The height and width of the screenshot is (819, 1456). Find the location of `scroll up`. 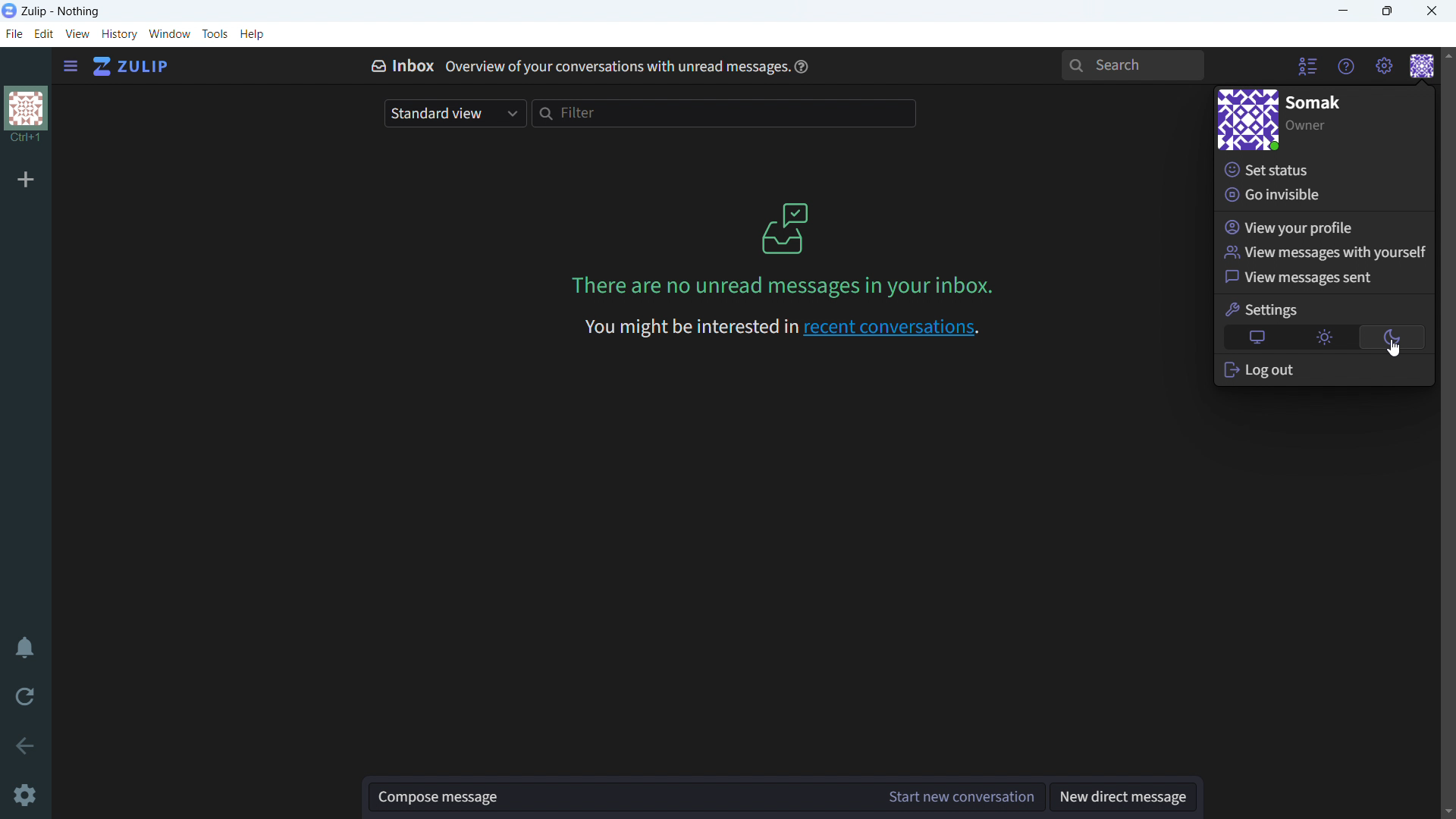

scroll up is located at coordinates (1447, 55).